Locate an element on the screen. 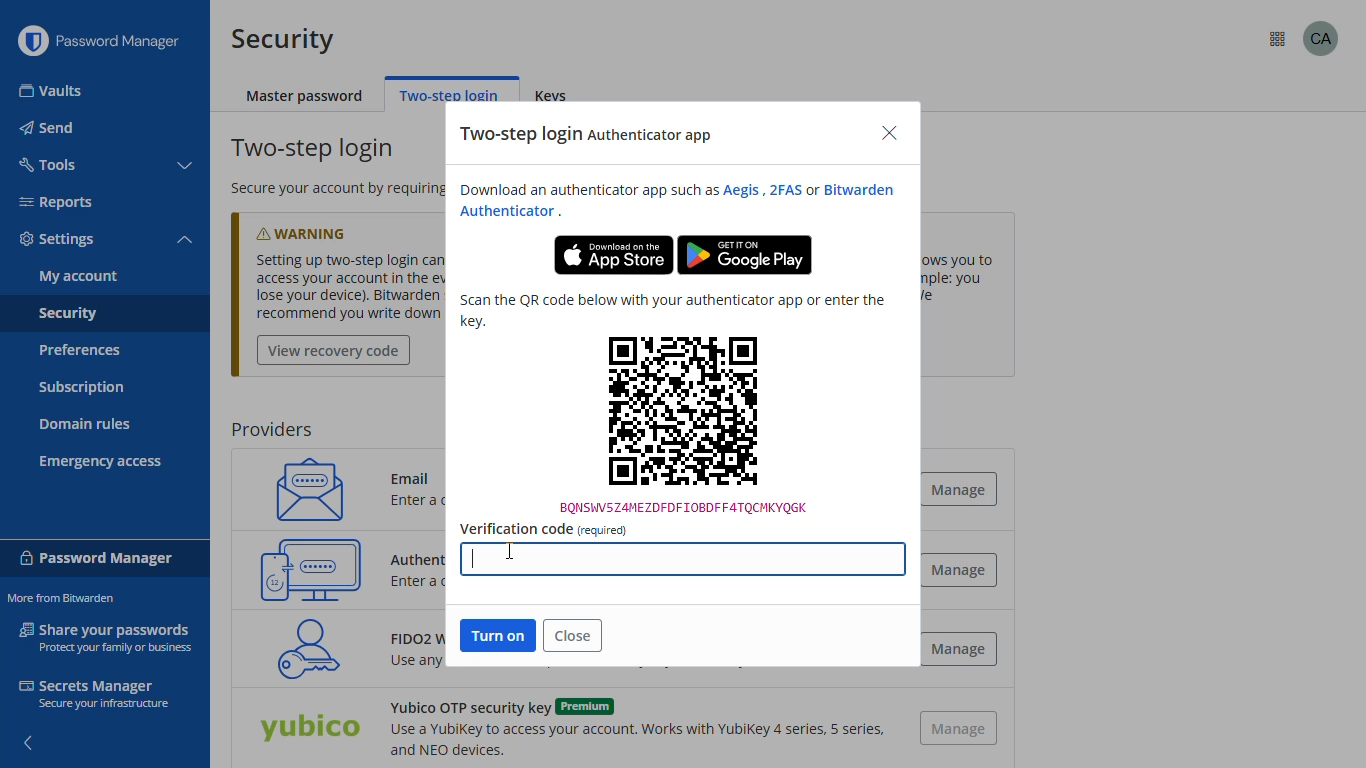 This screenshot has height=768, width=1366. Aegis , 2FAS is located at coordinates (761, 190).